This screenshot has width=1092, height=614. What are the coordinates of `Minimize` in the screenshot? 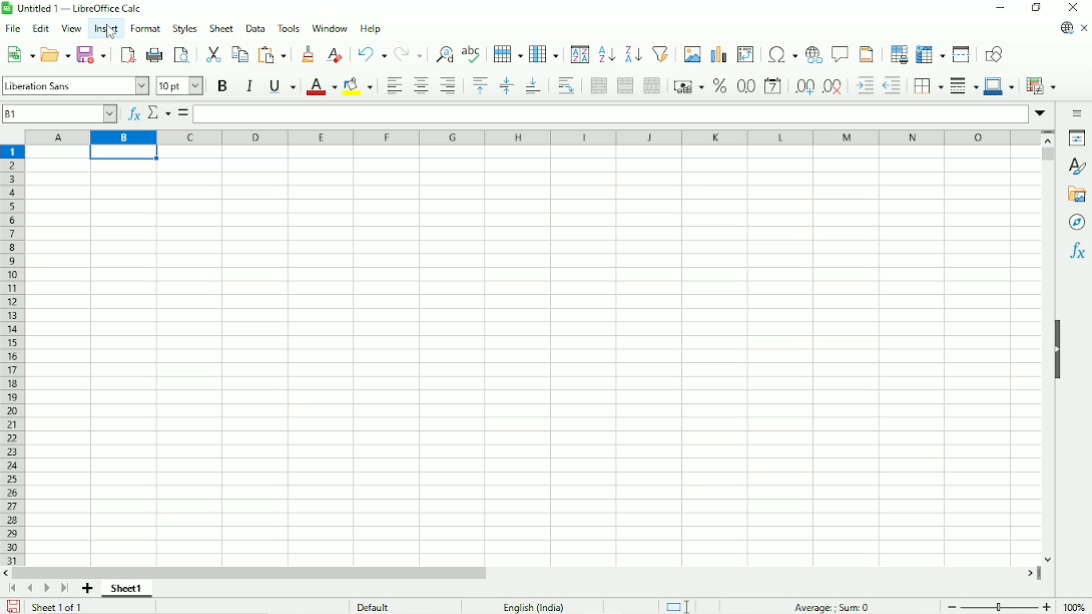 It's located at (1001, 8).